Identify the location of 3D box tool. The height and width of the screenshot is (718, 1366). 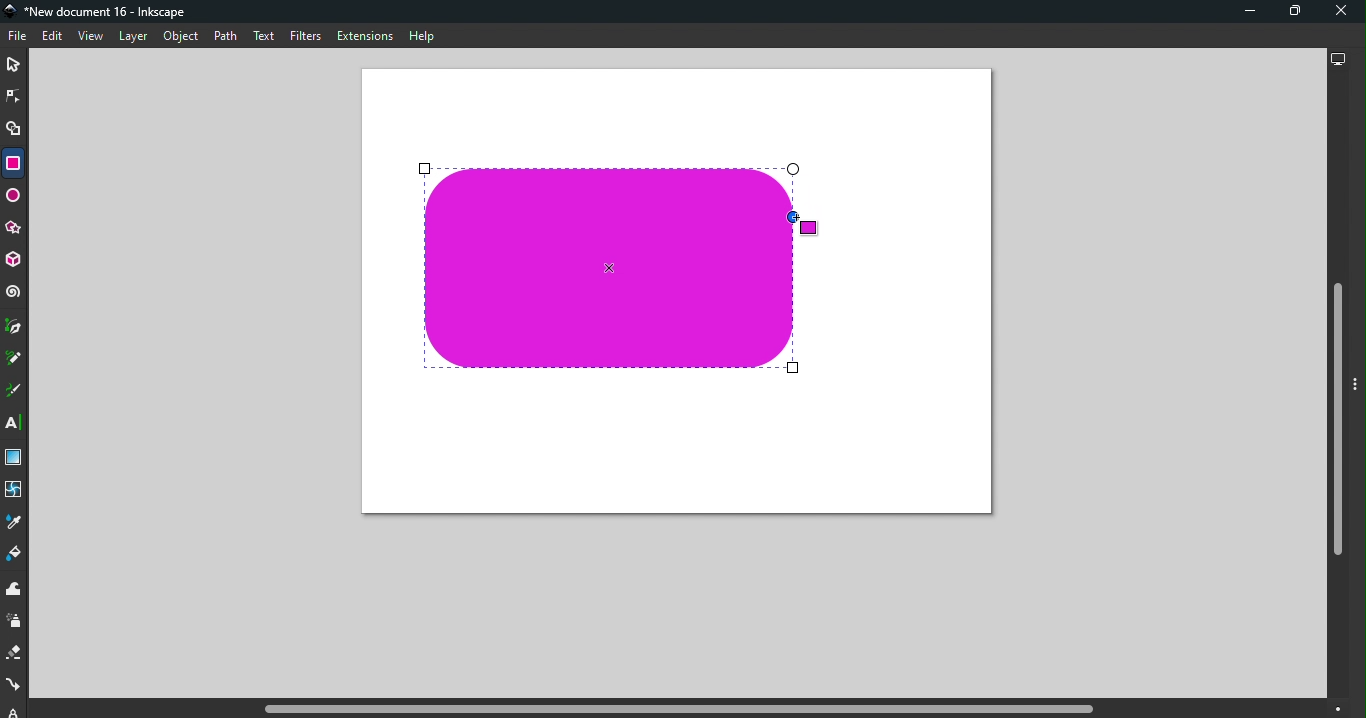
(15, 262).